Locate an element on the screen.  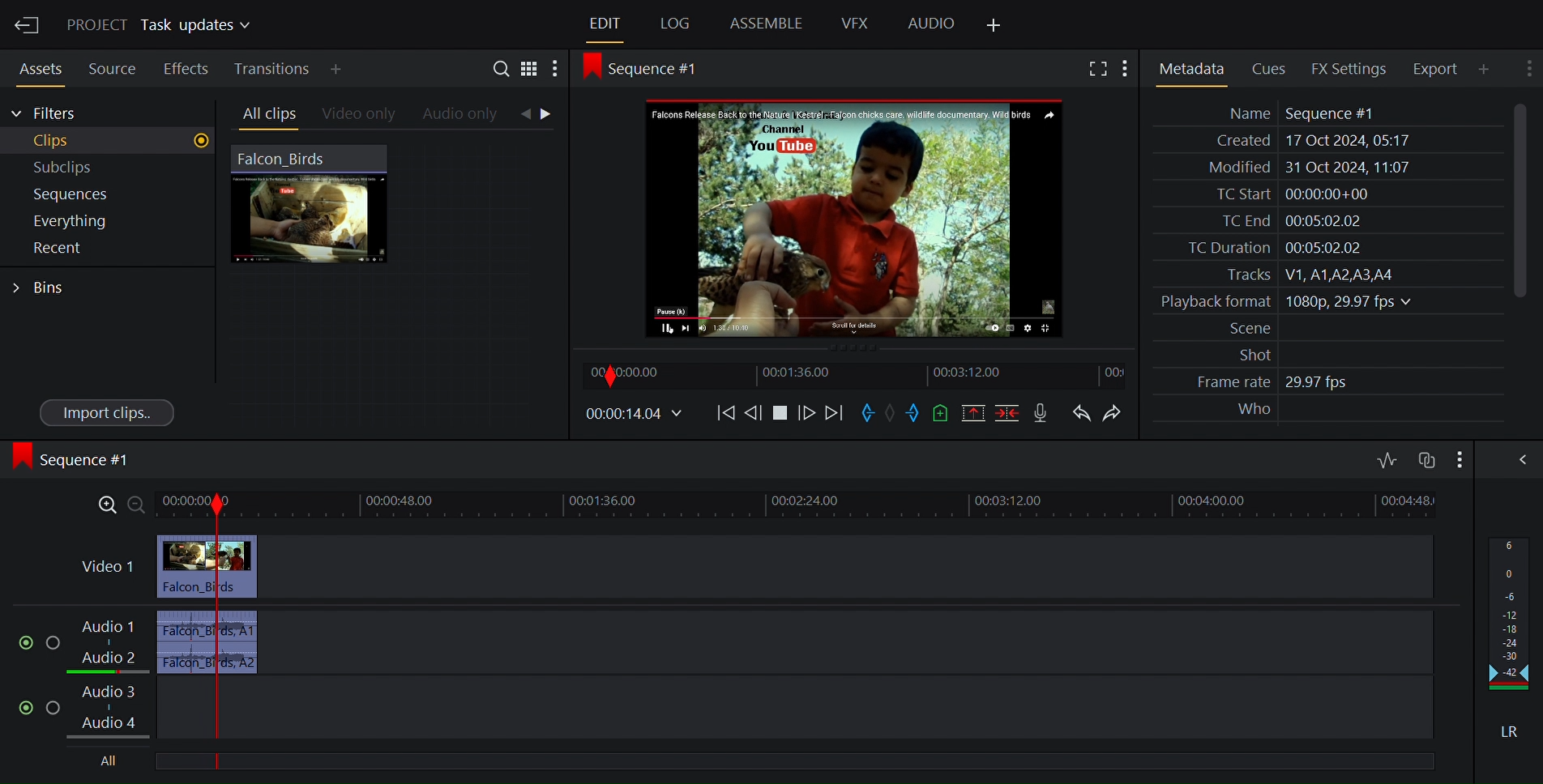
VFX is located at coordinates (855, 24).